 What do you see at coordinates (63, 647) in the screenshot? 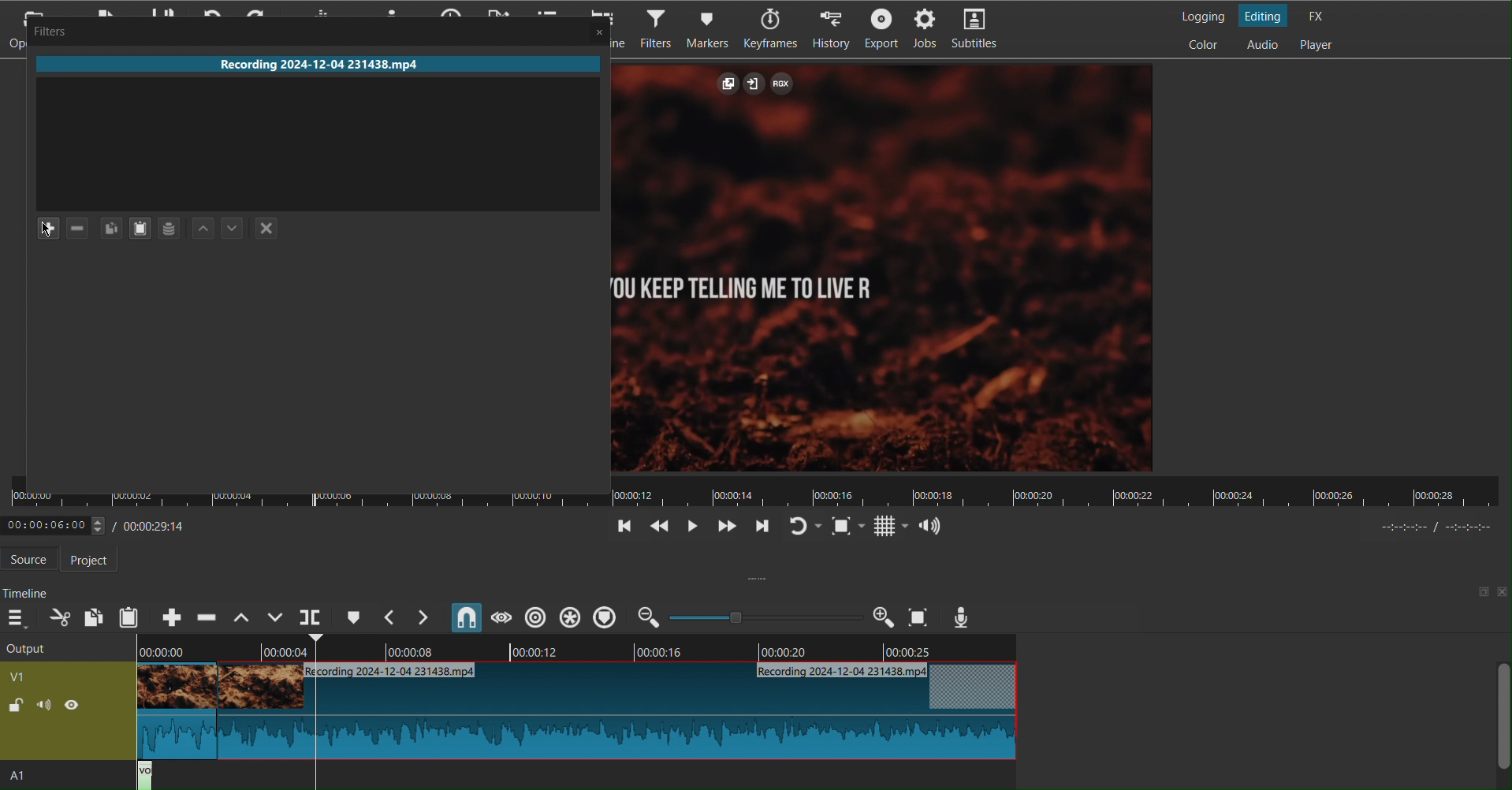
I see `Output` at bounding box center [63, 647].